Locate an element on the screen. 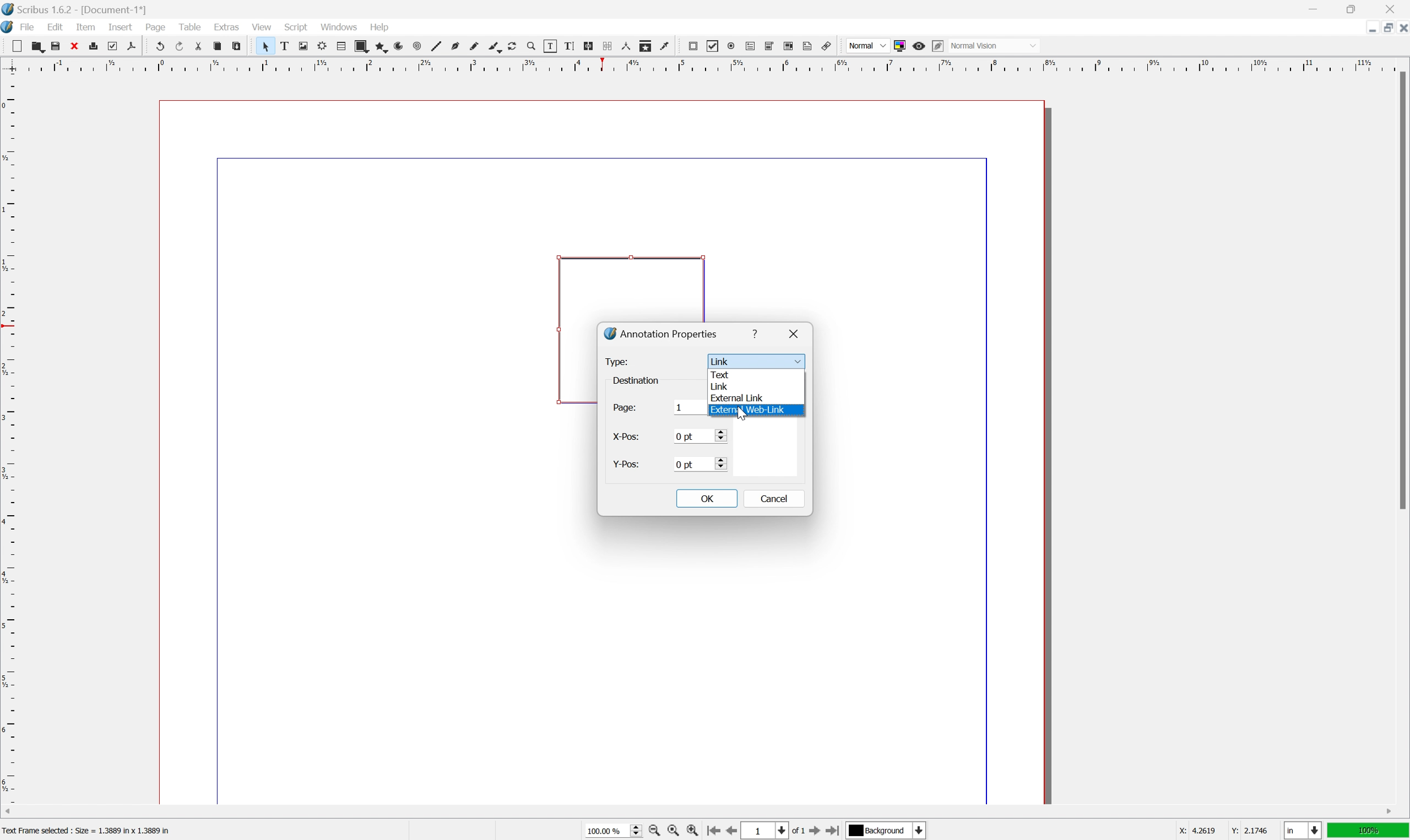 Image resolution: width=1410 pixels, height=840 pixels. go to first page is located at coordinates (713, 832).